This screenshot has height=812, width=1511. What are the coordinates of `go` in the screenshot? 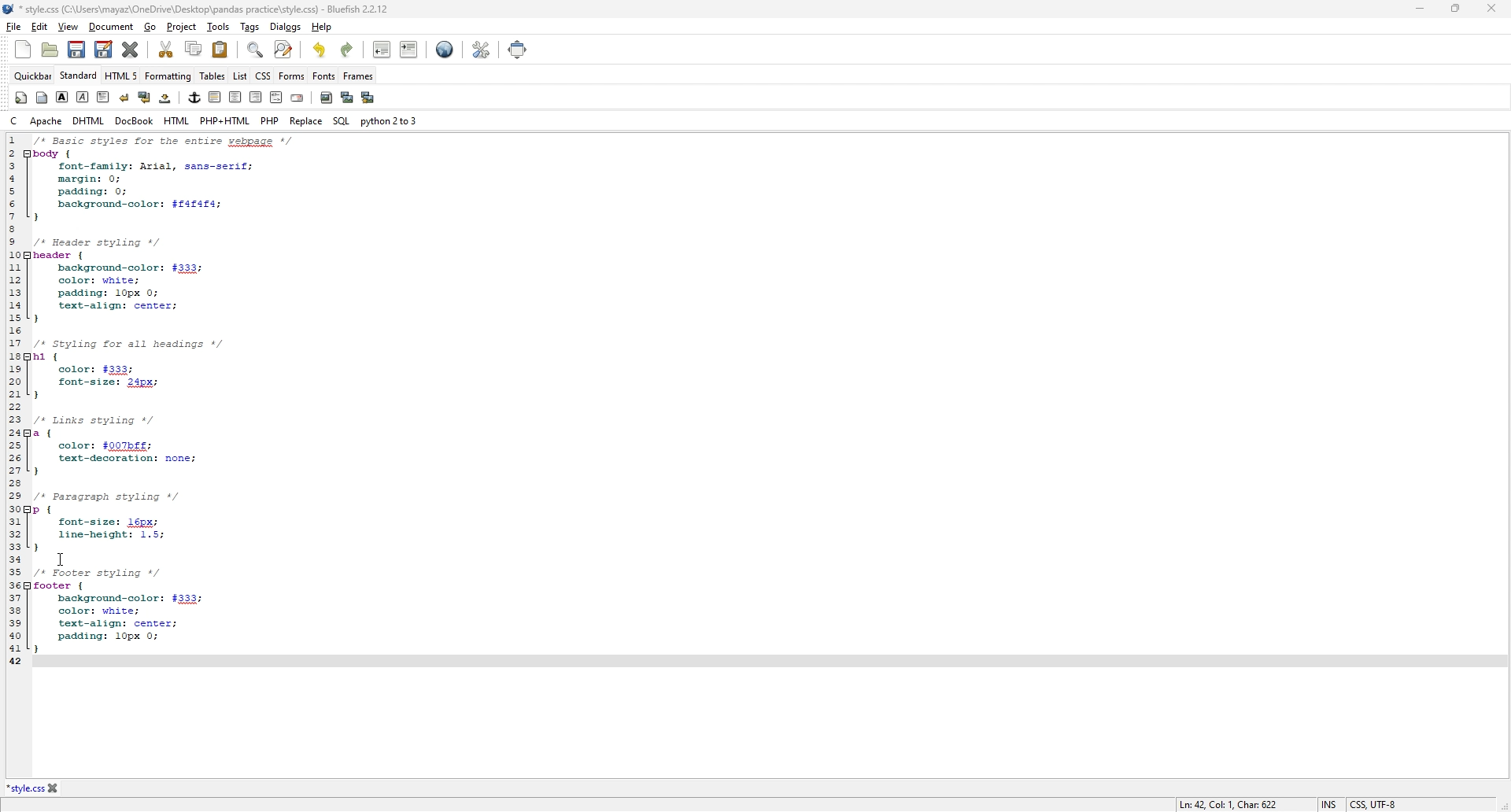 It's located at (150, 27).